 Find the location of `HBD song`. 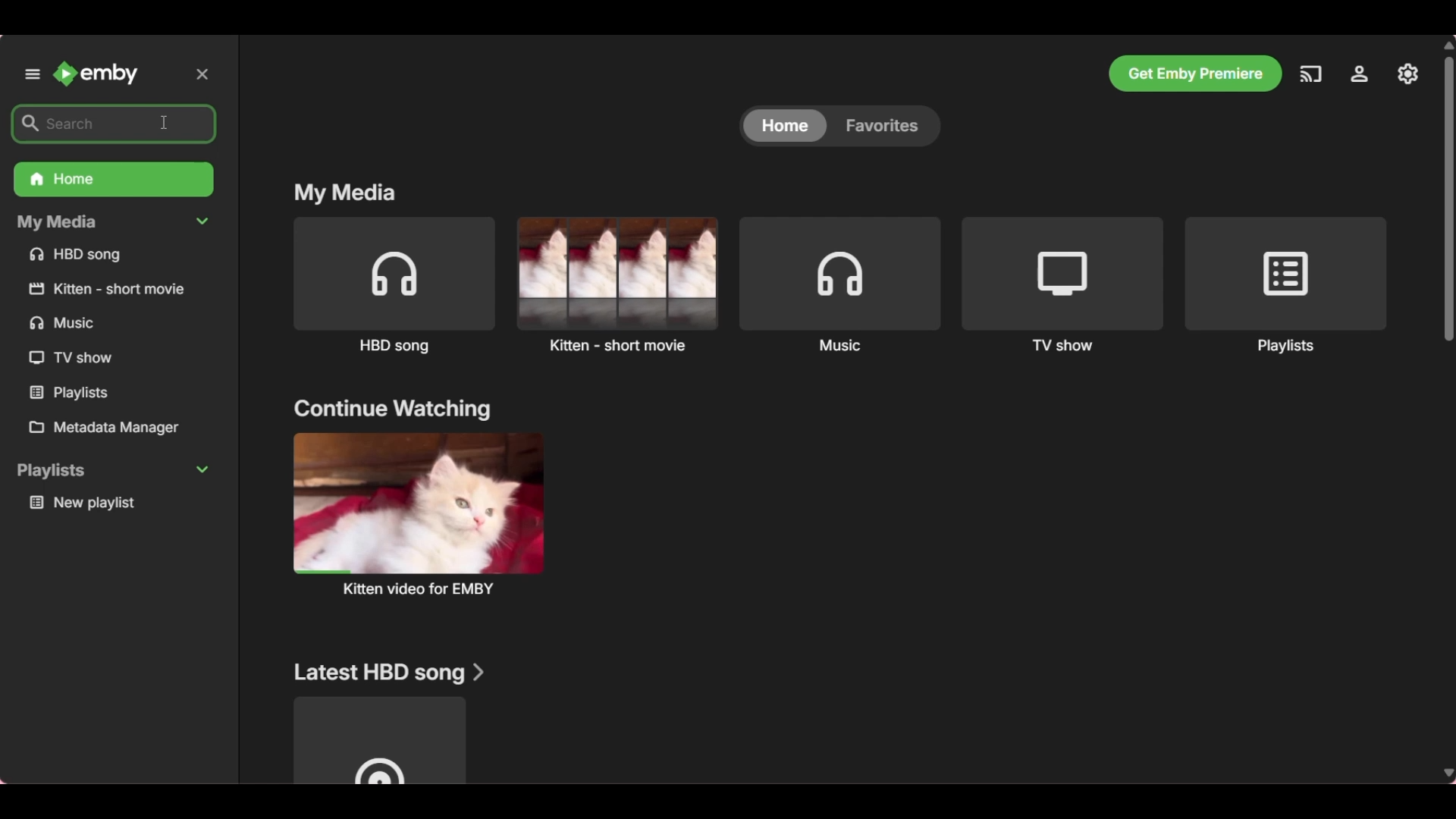

HBD song is located at coordinates (108, 256).